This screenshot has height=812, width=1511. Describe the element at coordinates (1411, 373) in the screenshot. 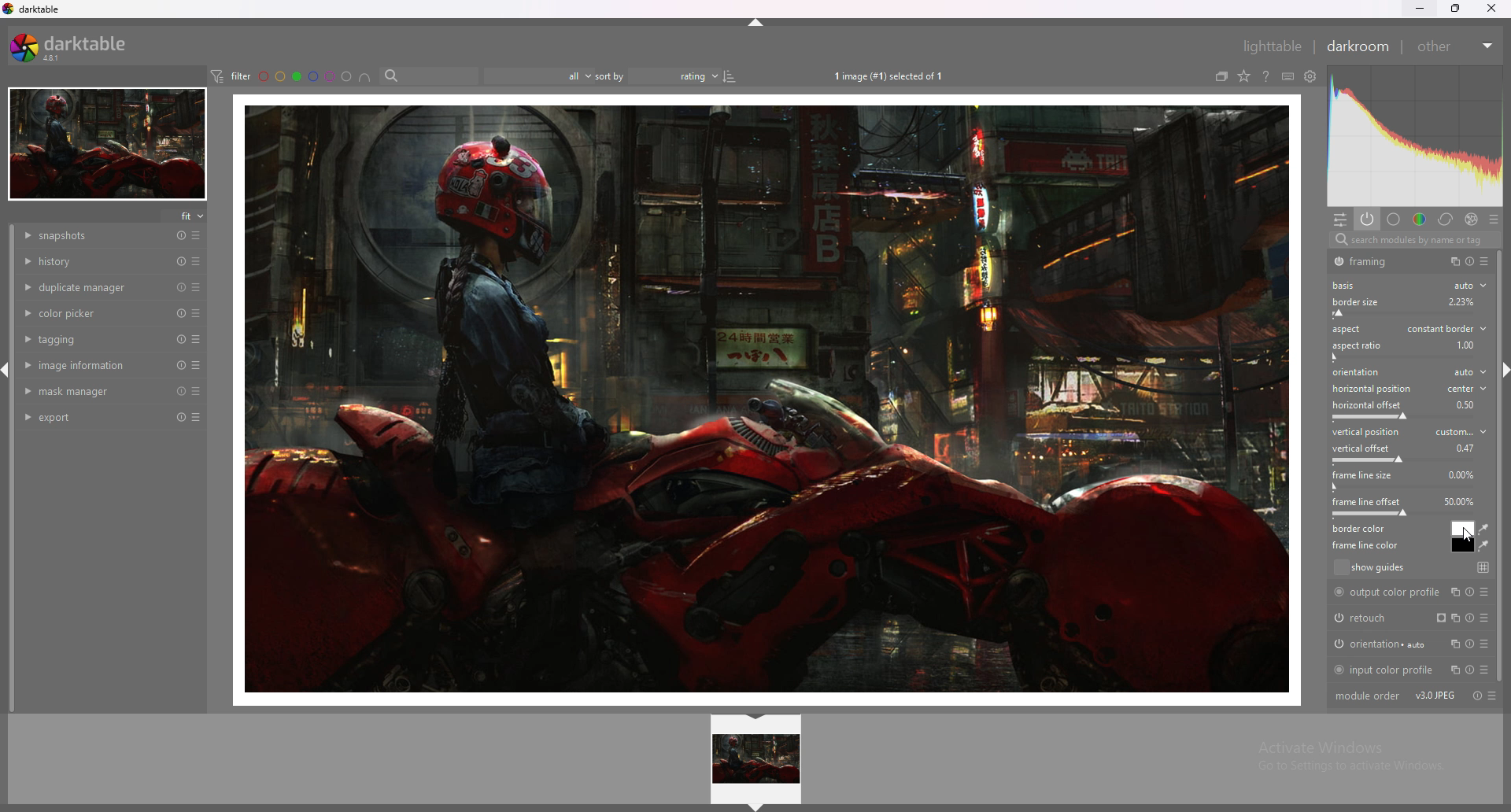

I see `orientation` at that location.